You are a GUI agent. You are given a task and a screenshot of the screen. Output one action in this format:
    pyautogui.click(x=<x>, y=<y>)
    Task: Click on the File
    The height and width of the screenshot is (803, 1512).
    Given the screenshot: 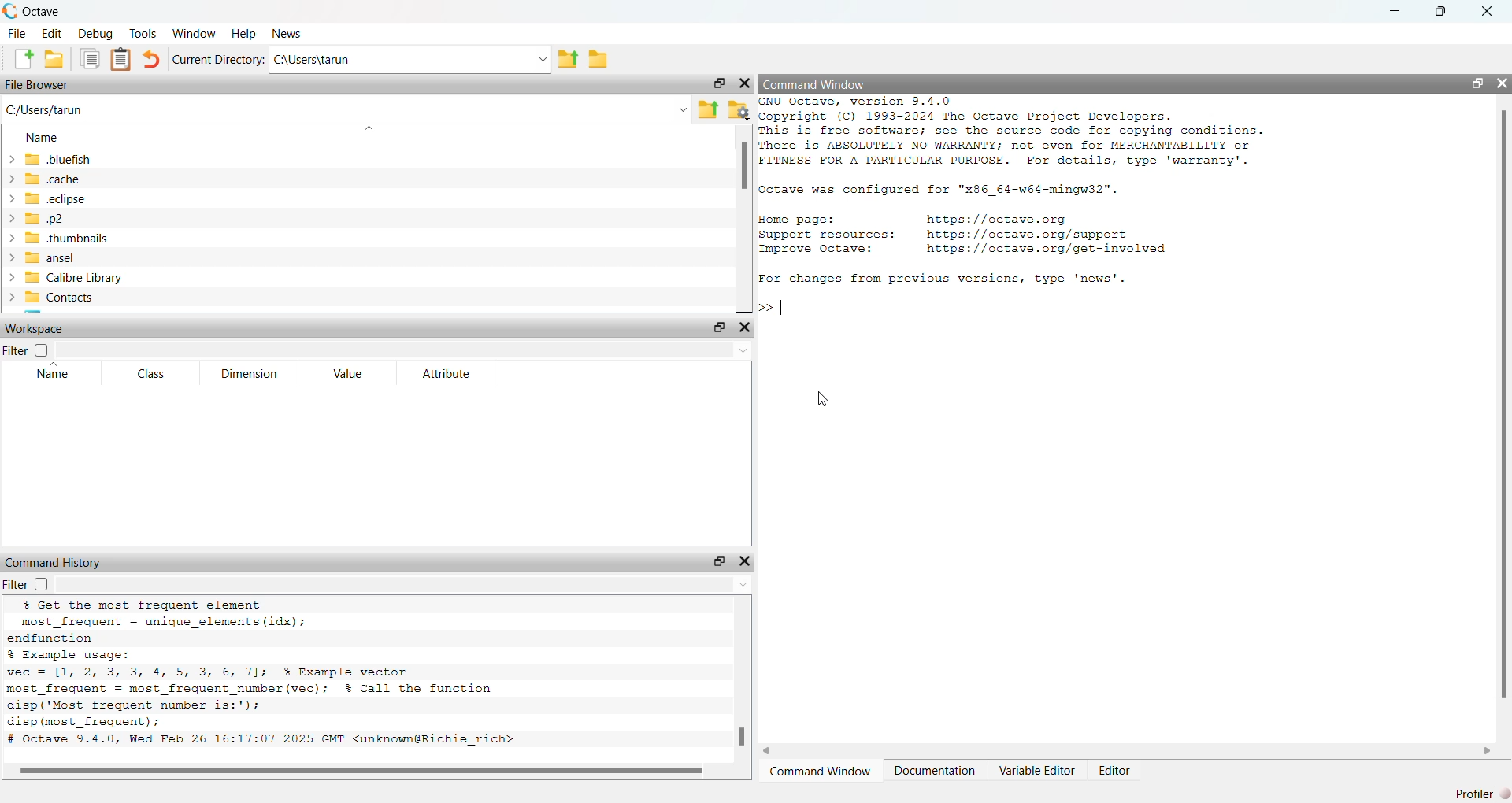 What is the action you would take?
    pyautogui.click(x=18, y=32)
    